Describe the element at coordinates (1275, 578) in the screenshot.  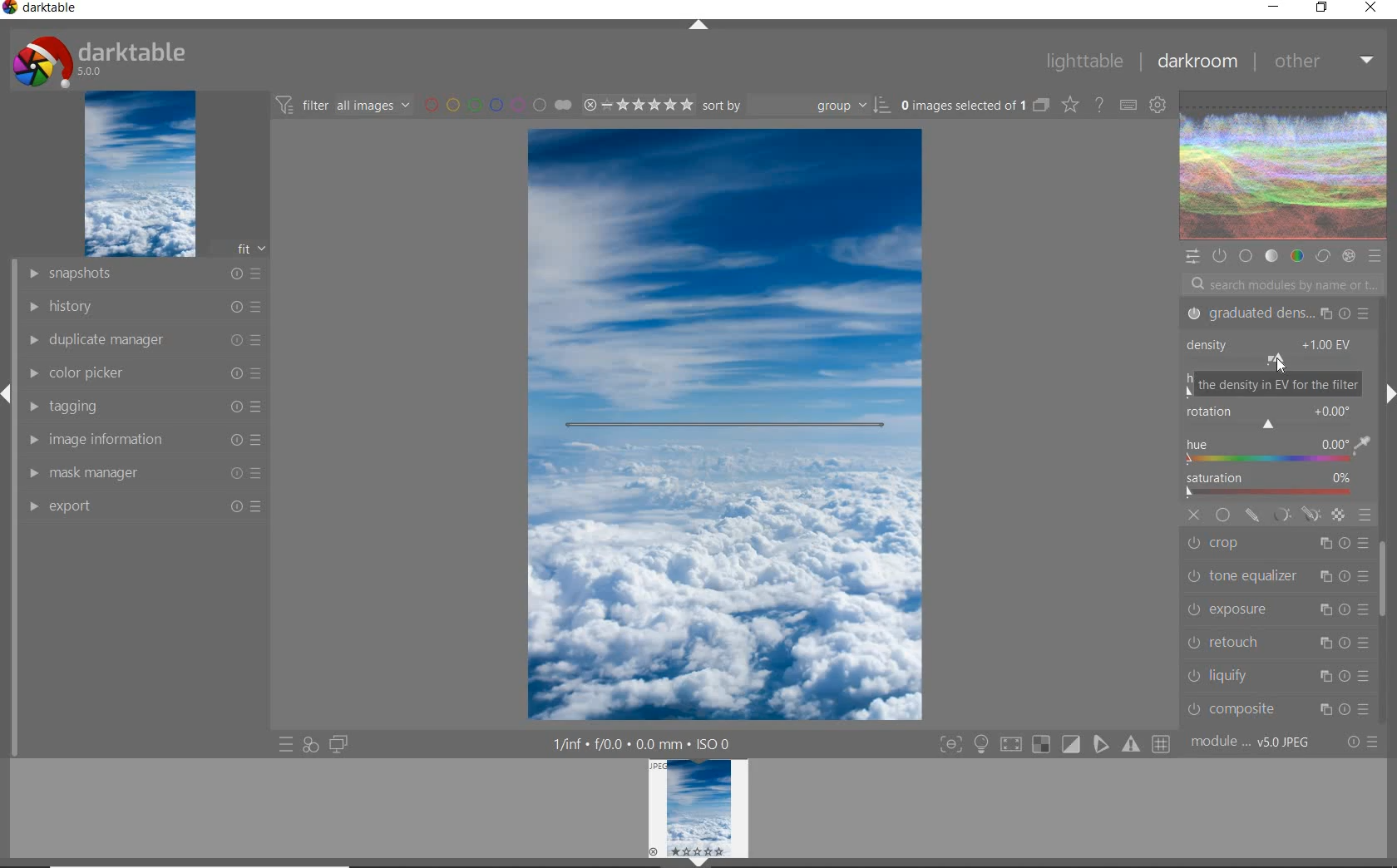
I see `tone equalizer` at that location.